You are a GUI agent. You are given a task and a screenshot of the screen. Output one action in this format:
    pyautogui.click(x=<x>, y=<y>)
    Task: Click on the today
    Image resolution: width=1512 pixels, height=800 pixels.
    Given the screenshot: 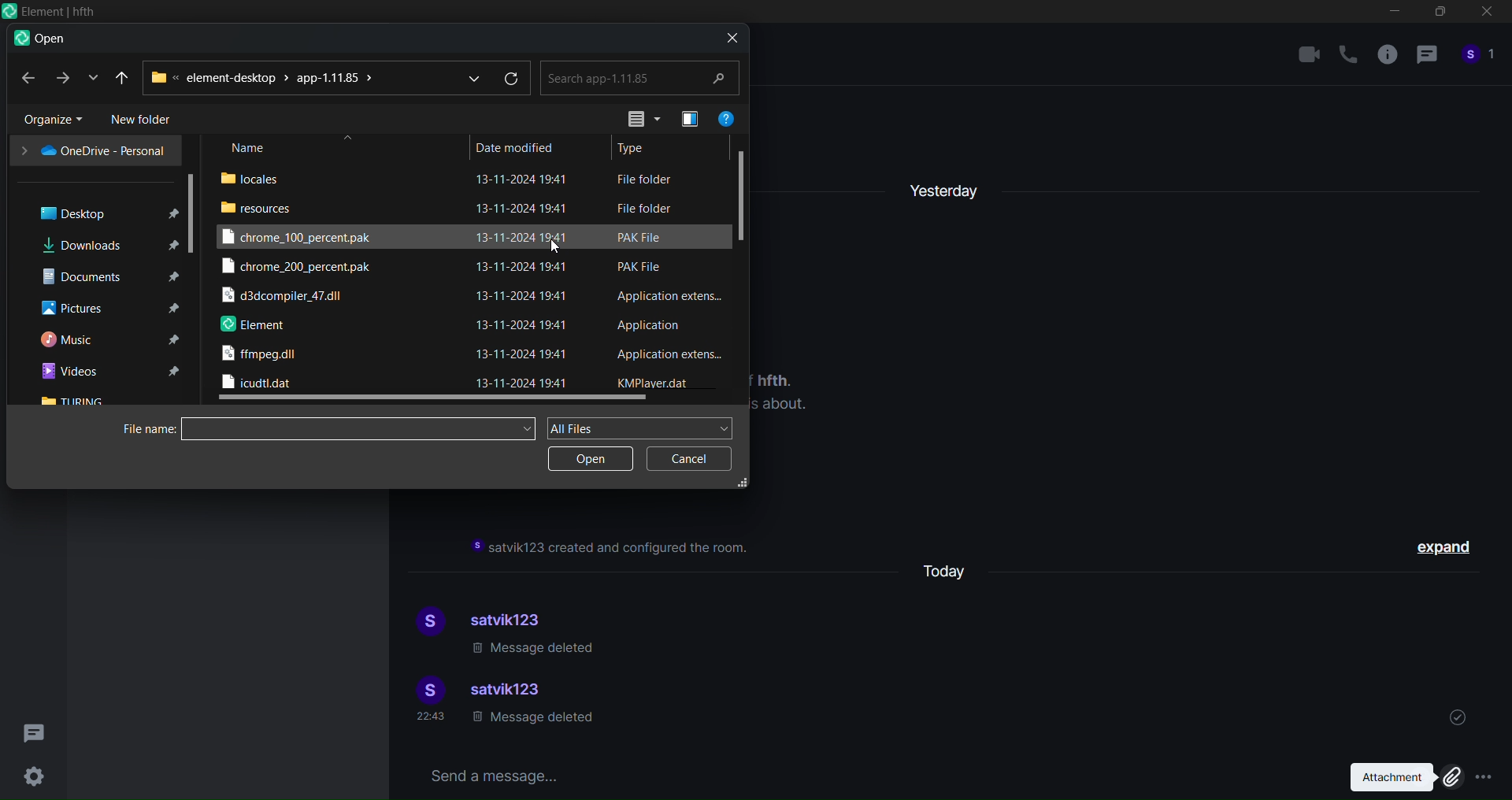 What is the action you would take?
    pyautogui.click(x=952, y=569)
    